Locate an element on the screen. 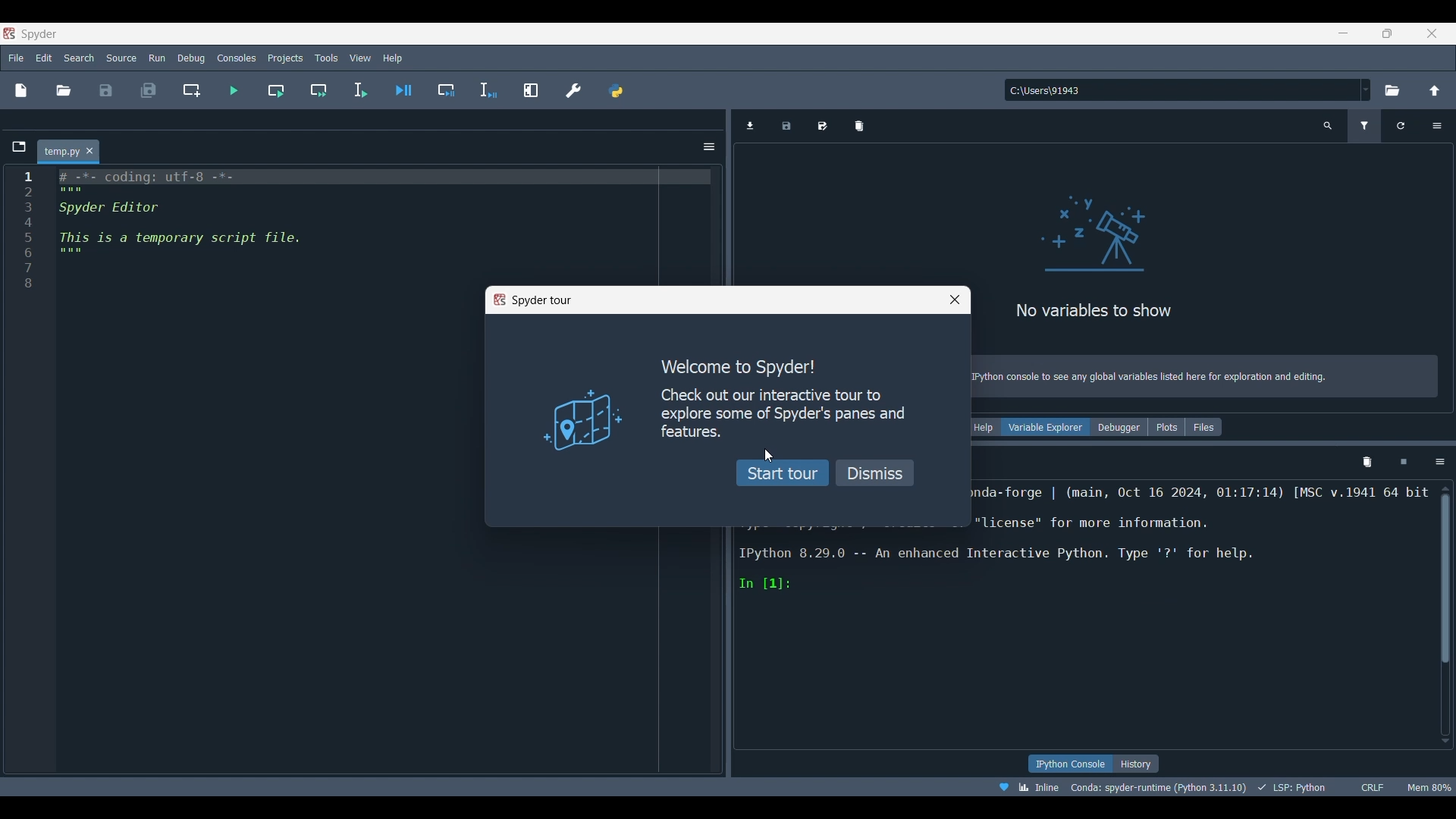  Input location is located at coordinates (1182, 90).